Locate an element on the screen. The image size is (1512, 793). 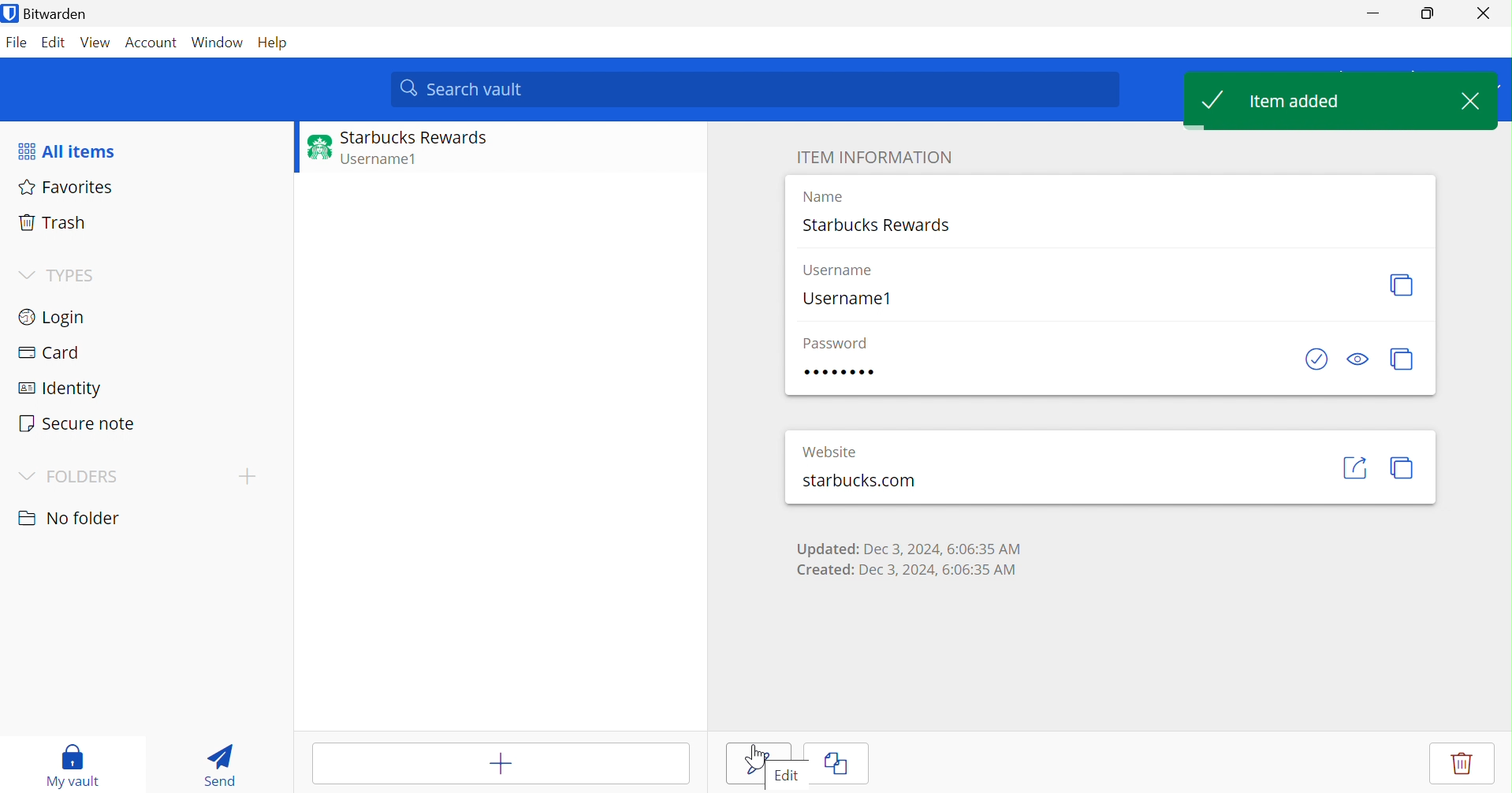
Updated: Dec 3, 2024, 6:06:35 AM is located at coordinates (909, 550).